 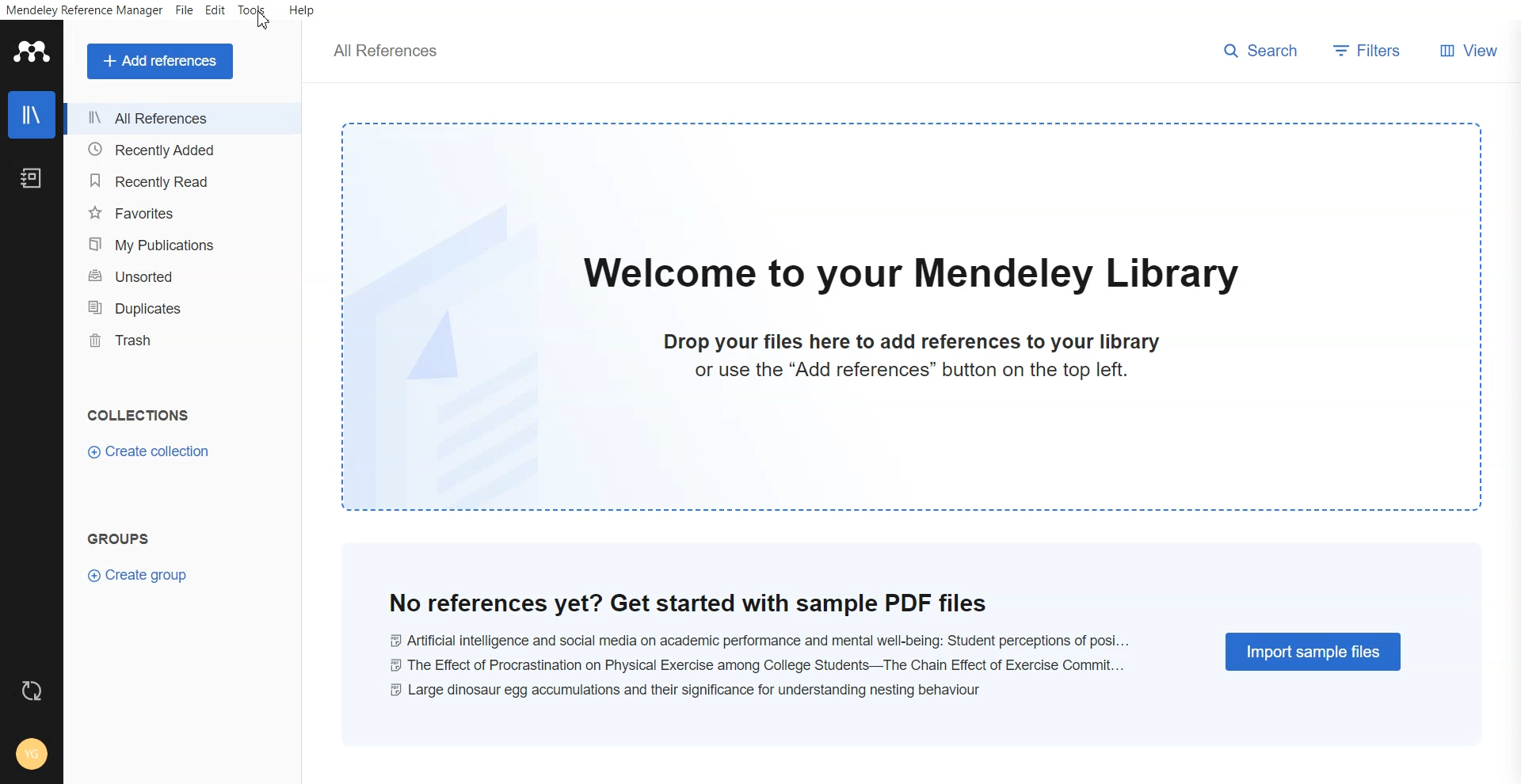 What do you see at coordinates (913, 275) in the screenshot?
I see `welcome to our mendeley library` at bounding box center [913, 275].